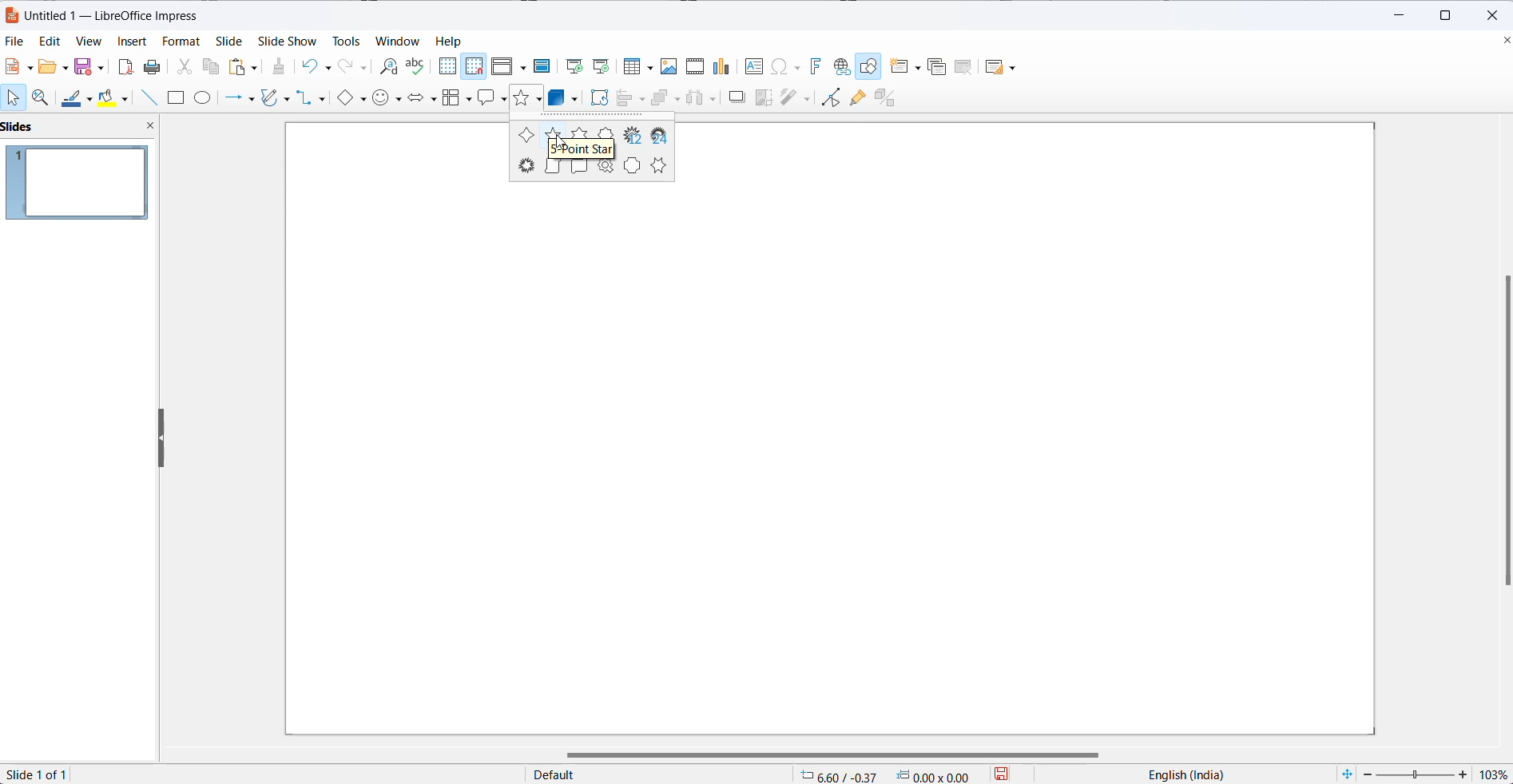 Image resolution: width=1513 pixels, height=784 pixels. Describe the element at coordinates (89, 66) in the screenshot. I see `save` at that location.